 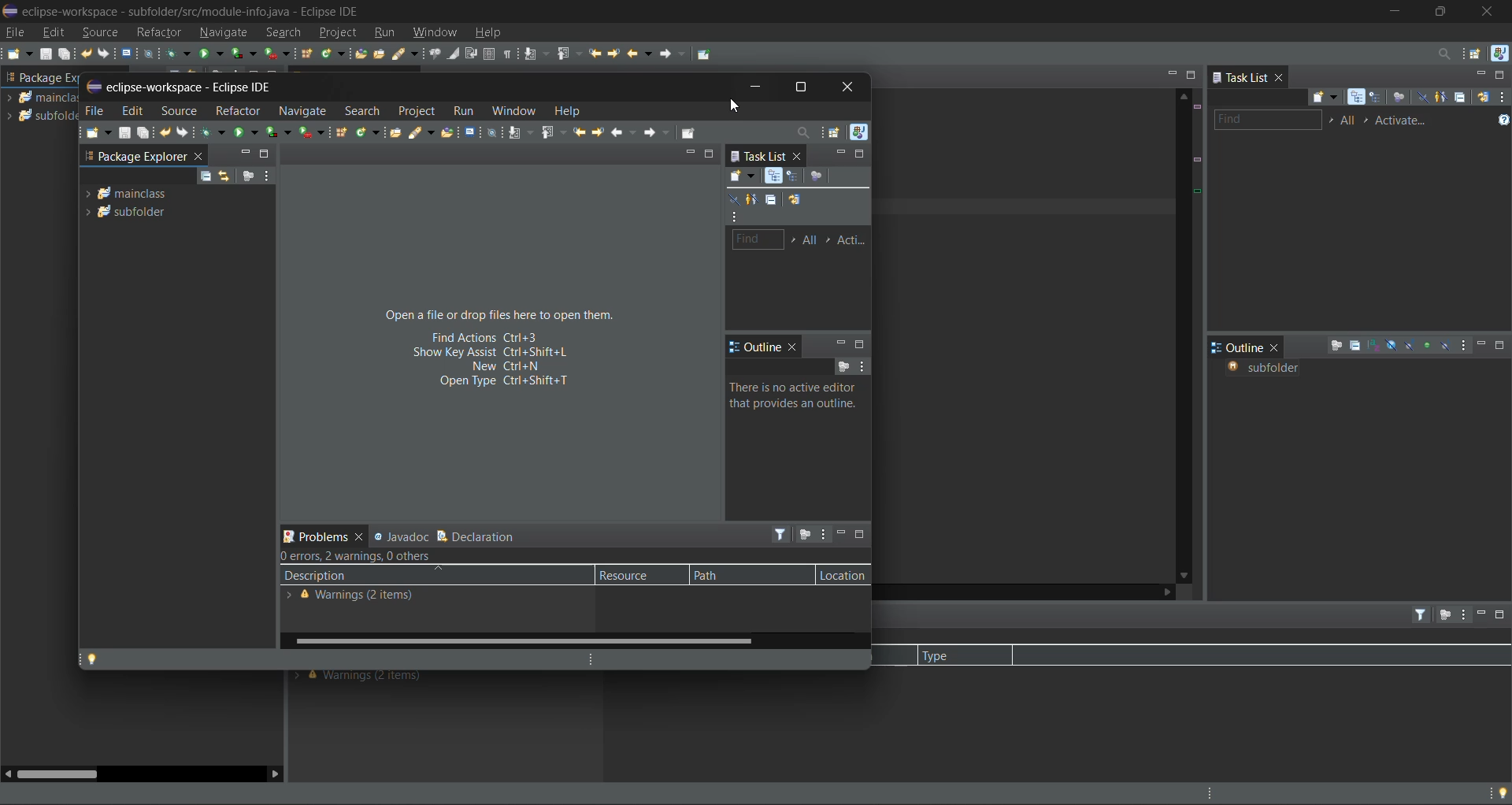 What do you see at coordinates (97, 109) in the screenshot?
I see `file` at bounding box center [97, 109].